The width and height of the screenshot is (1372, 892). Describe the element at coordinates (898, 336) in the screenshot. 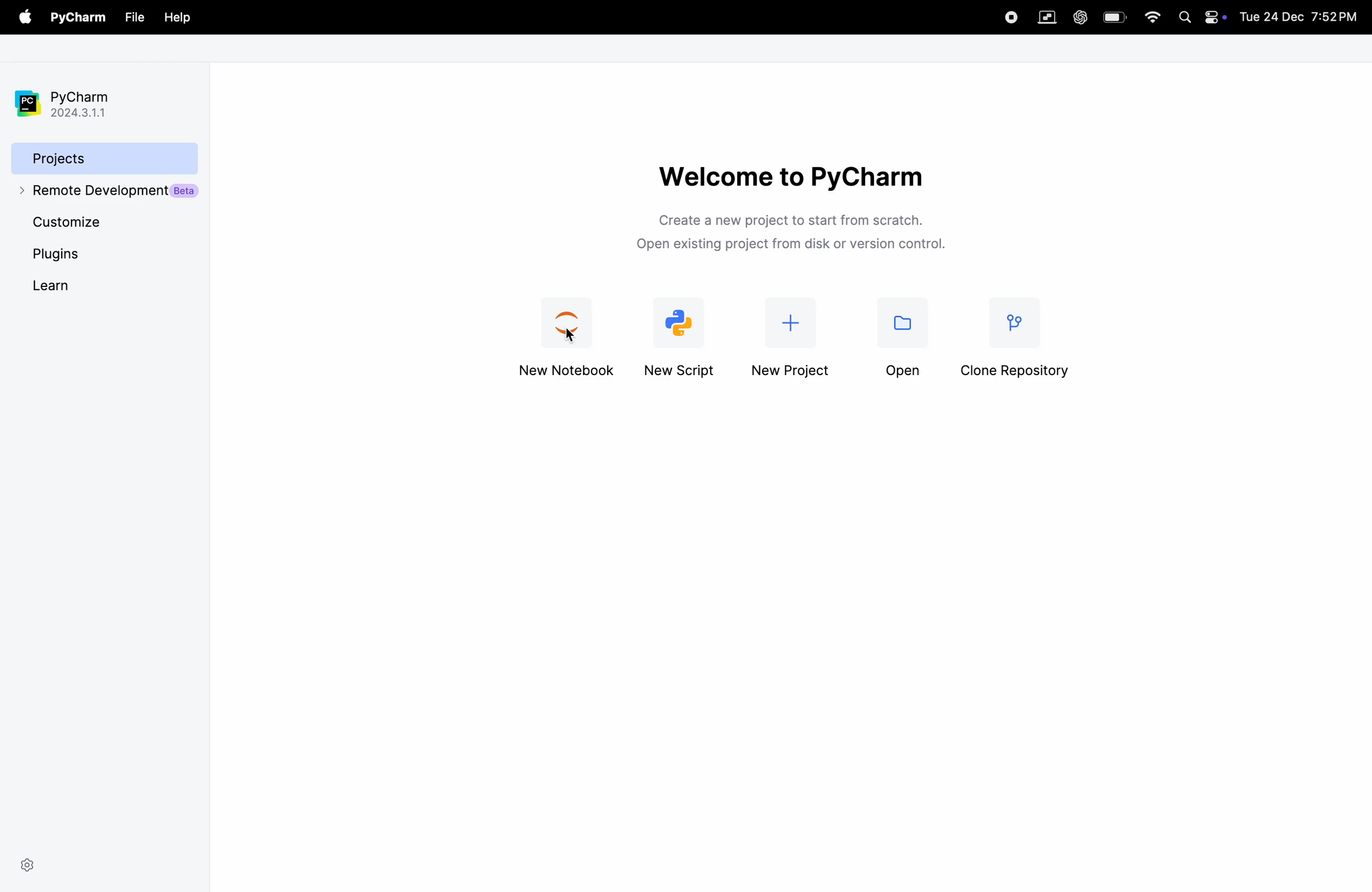

I see `open` at that location.